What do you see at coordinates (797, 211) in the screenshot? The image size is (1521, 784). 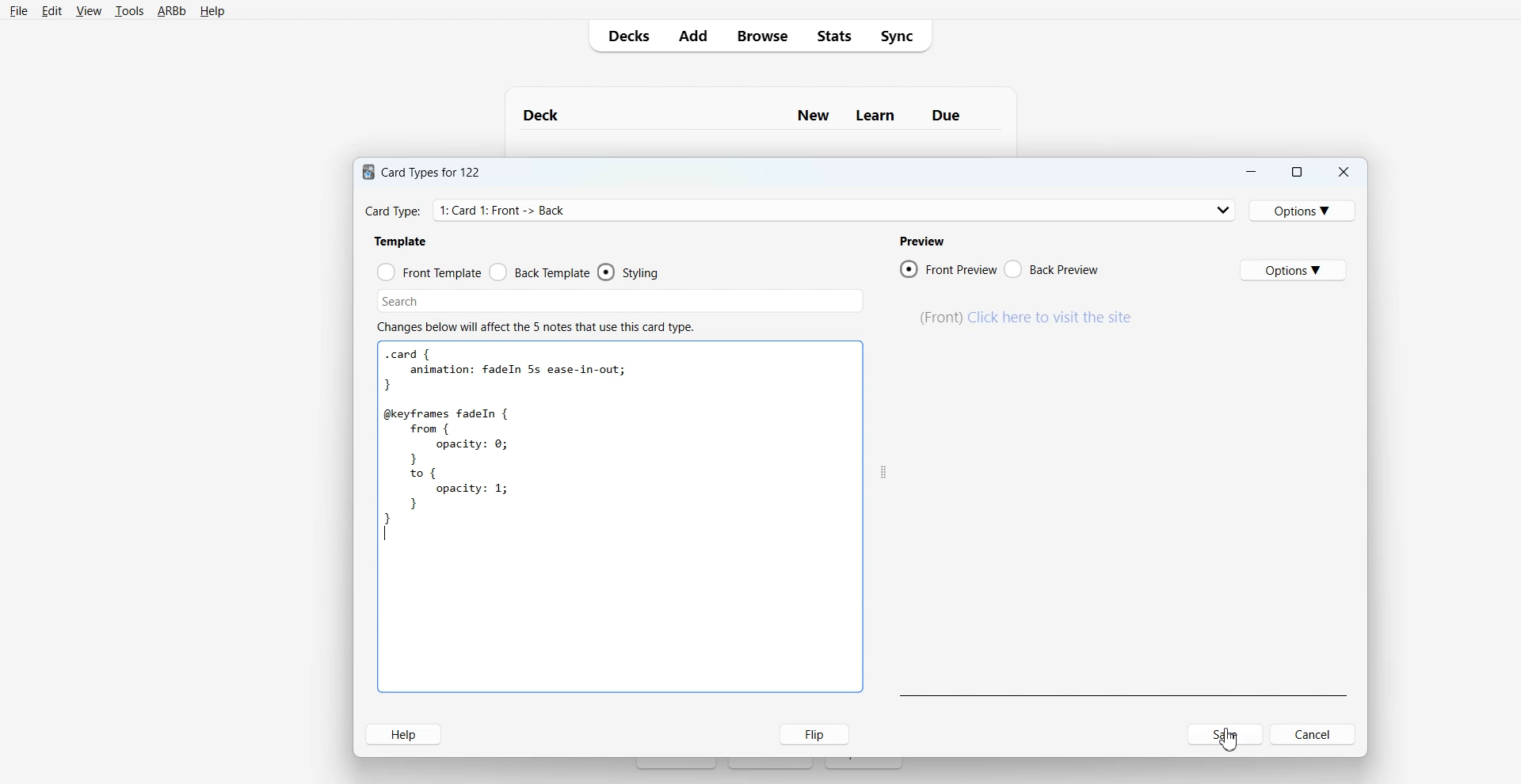 I see `Card Type` at bounding box center [797, 211].